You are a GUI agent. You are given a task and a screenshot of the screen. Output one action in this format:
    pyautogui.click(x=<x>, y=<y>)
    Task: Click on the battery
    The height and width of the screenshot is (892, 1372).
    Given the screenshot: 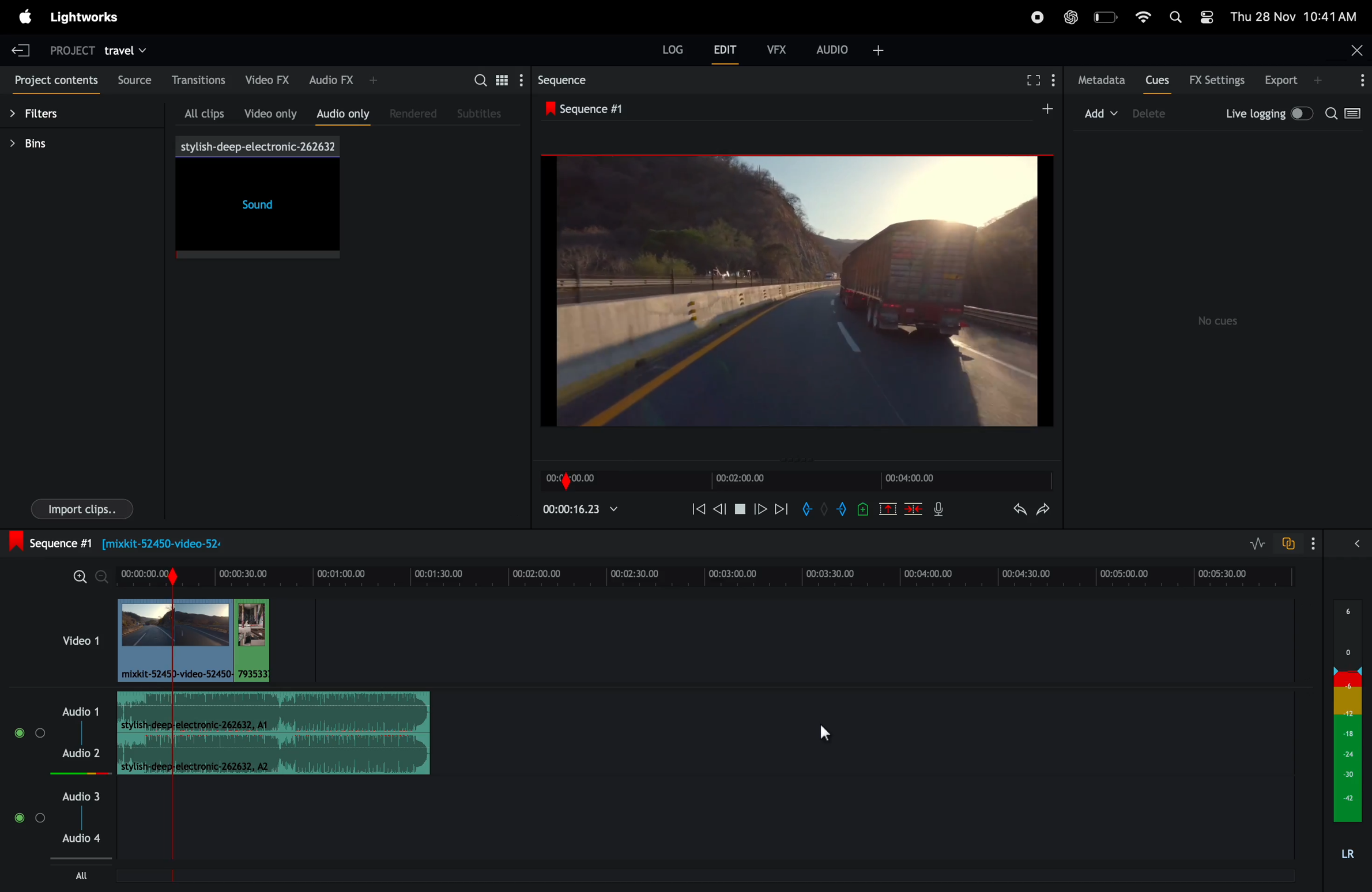 What is the action you would take?
    pyautogui.click(x=1106, y=16)
    